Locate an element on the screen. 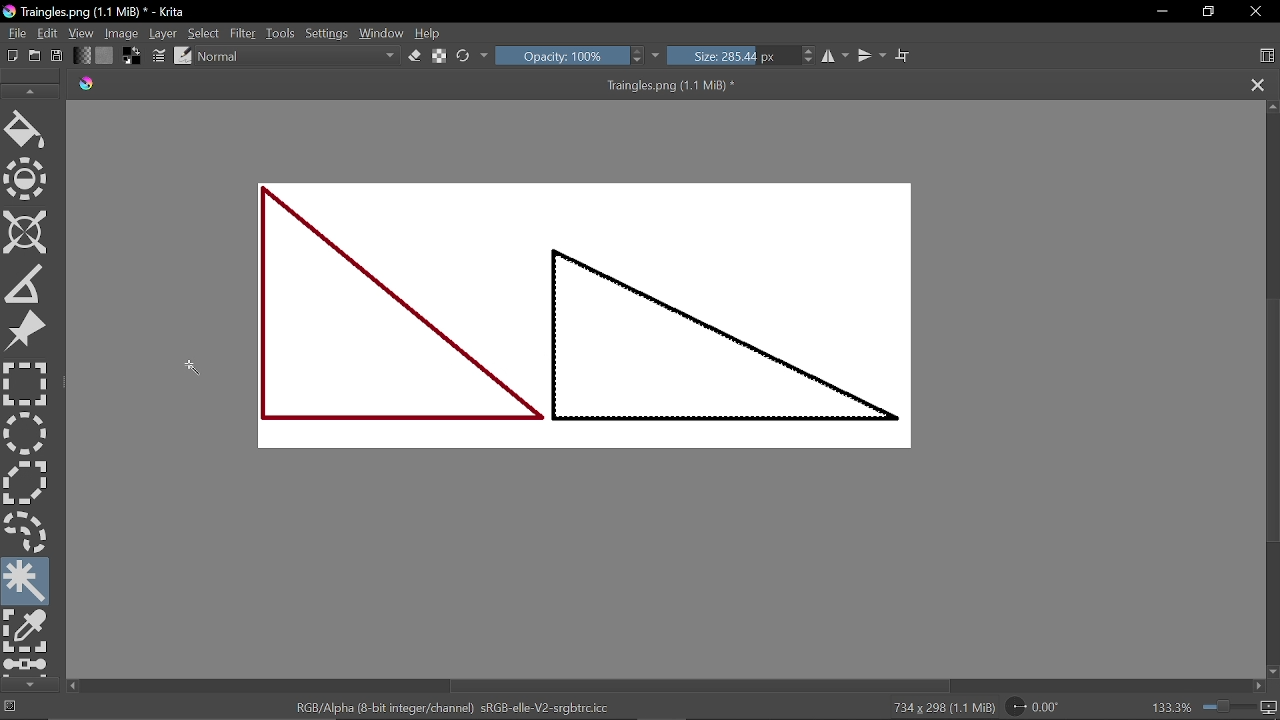  Enclose and fill color is located at coordinates (27, 181).